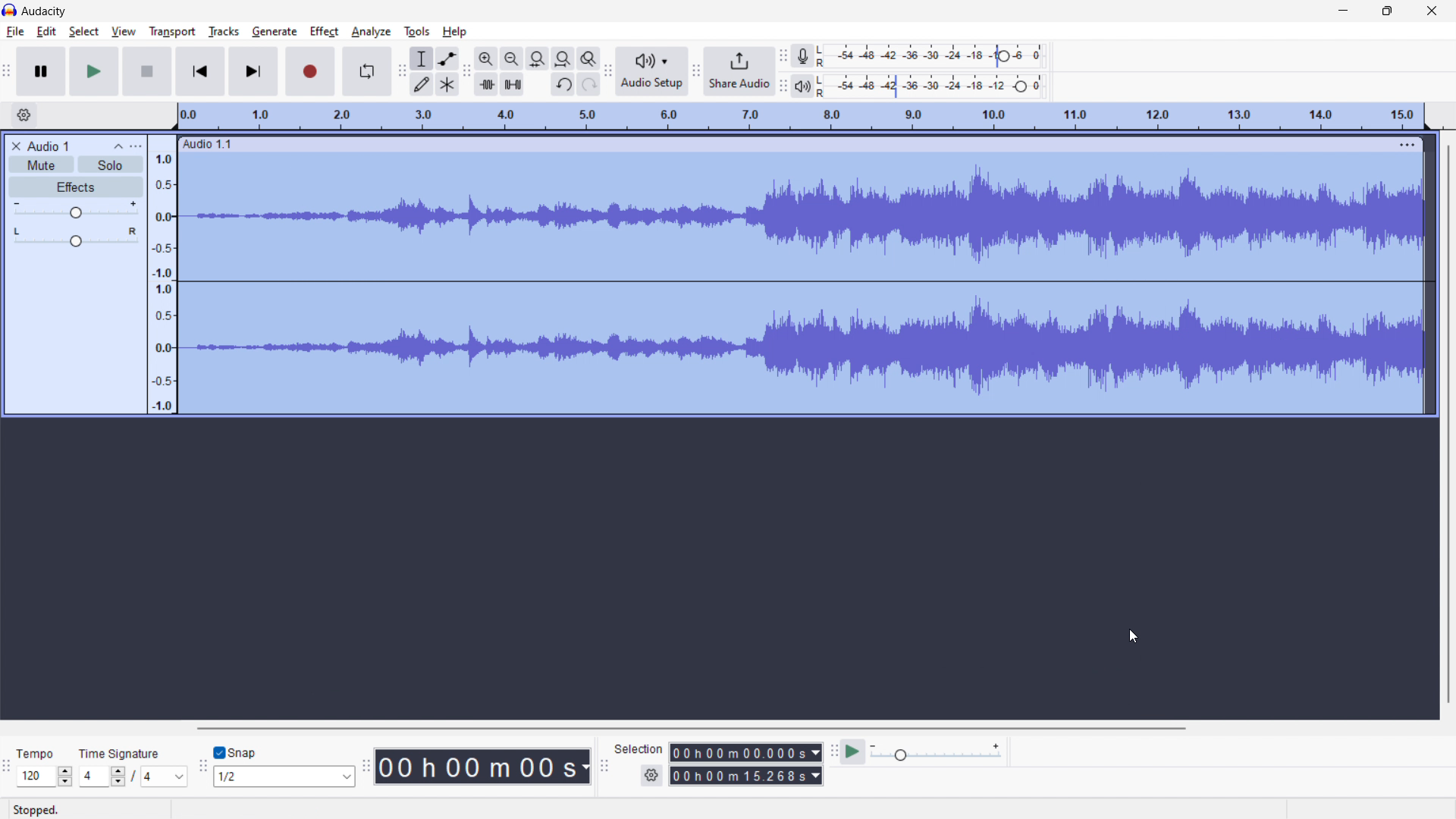 This screenshot has width=1456, height=819. Describe the element at coordinates (275, 31) in the screenshot. I see `generate` at that location.